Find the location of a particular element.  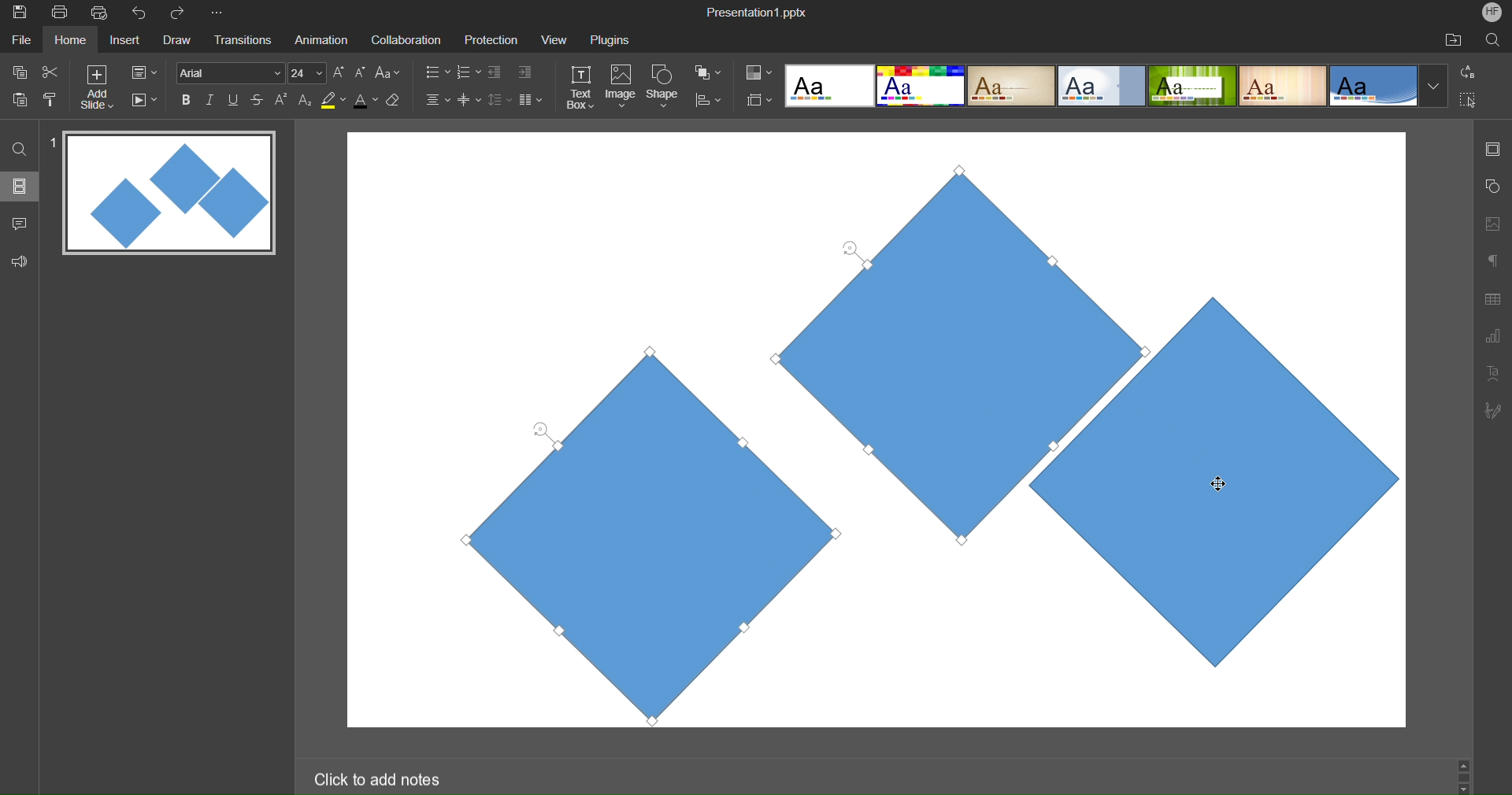

Save is located at coordinates (18, 13).